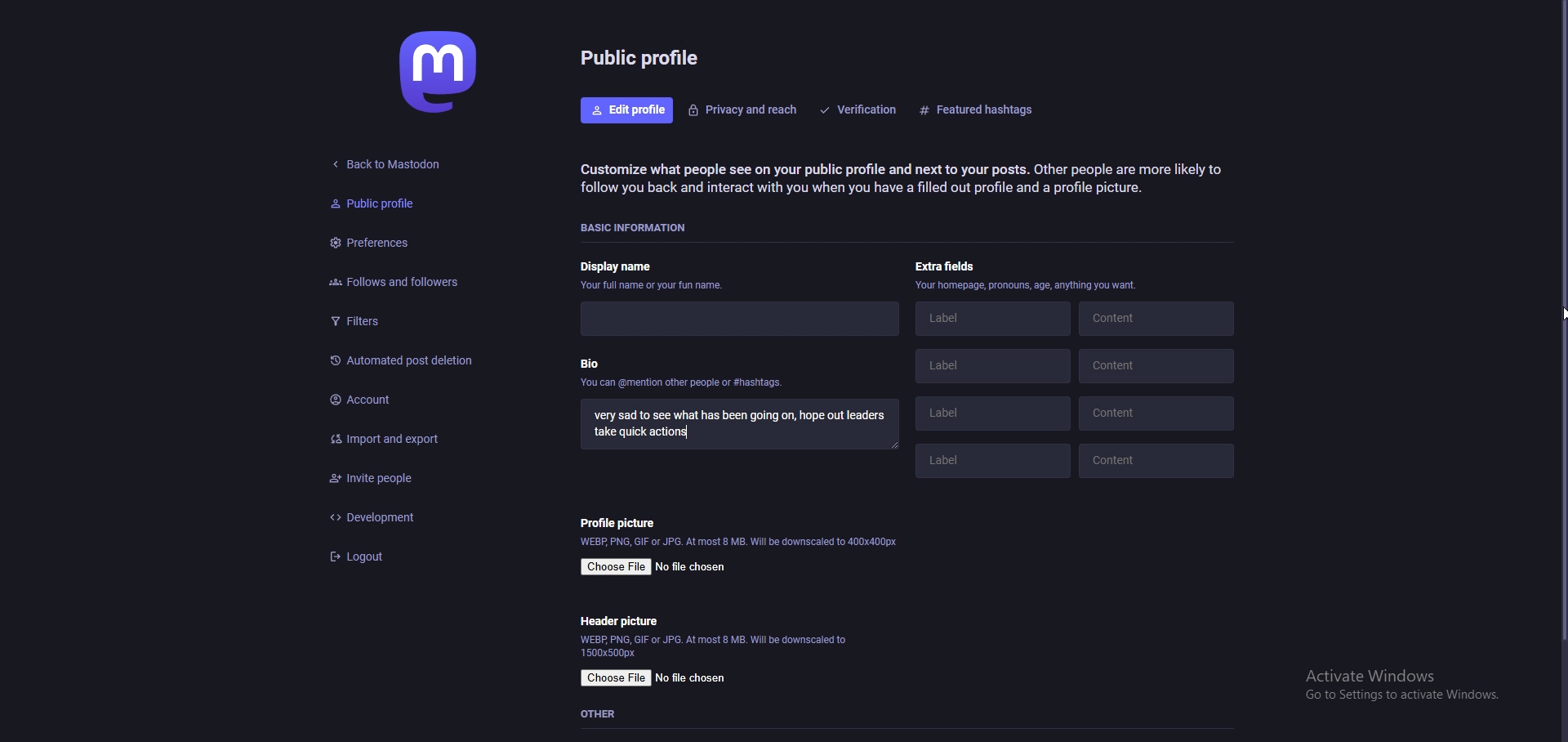 Image resolution: width=1568 pixels, height=742 pixels. I want to click on label, so click(989, 462).